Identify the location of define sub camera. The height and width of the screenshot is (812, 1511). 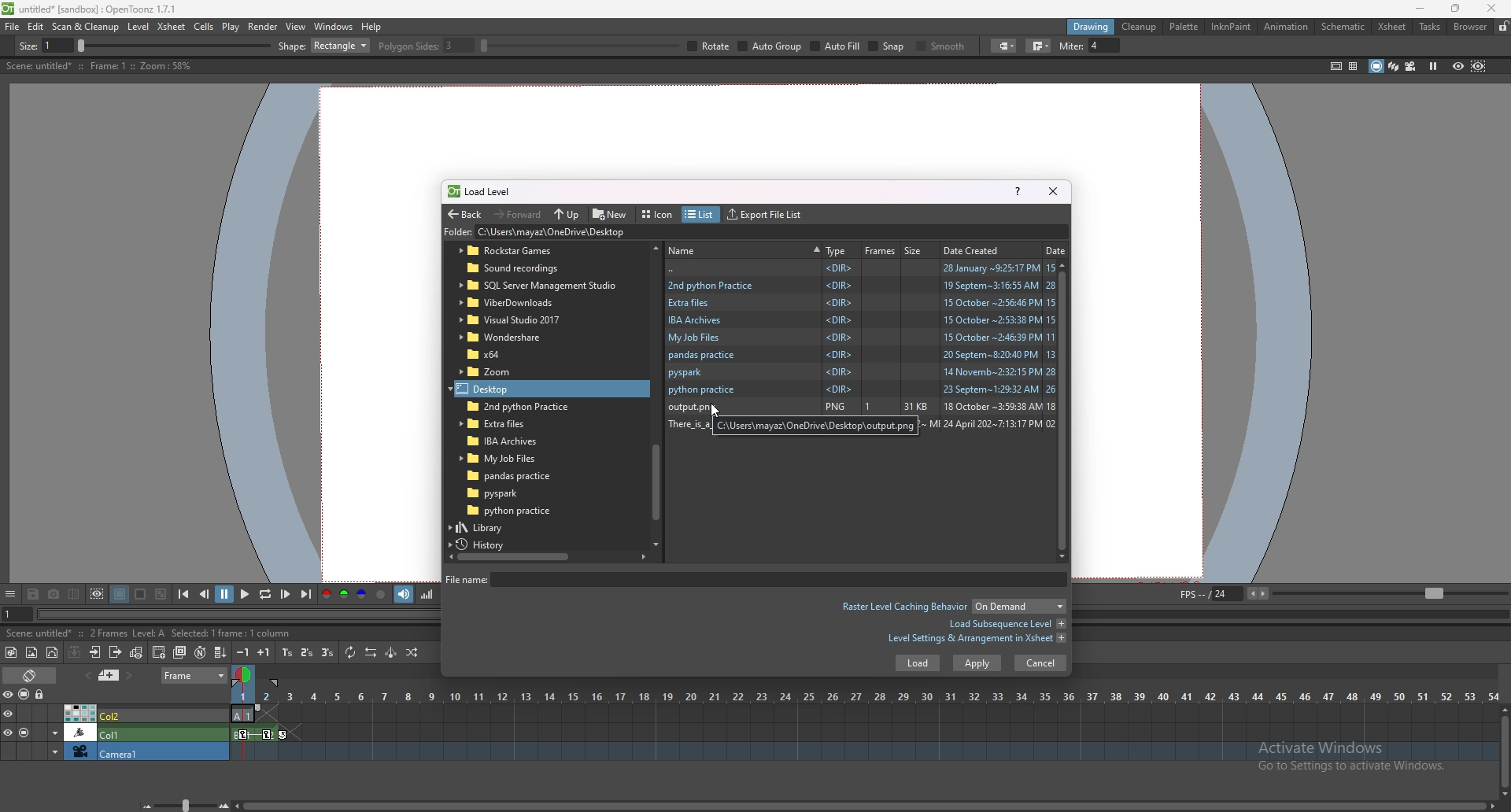
(97, 594).